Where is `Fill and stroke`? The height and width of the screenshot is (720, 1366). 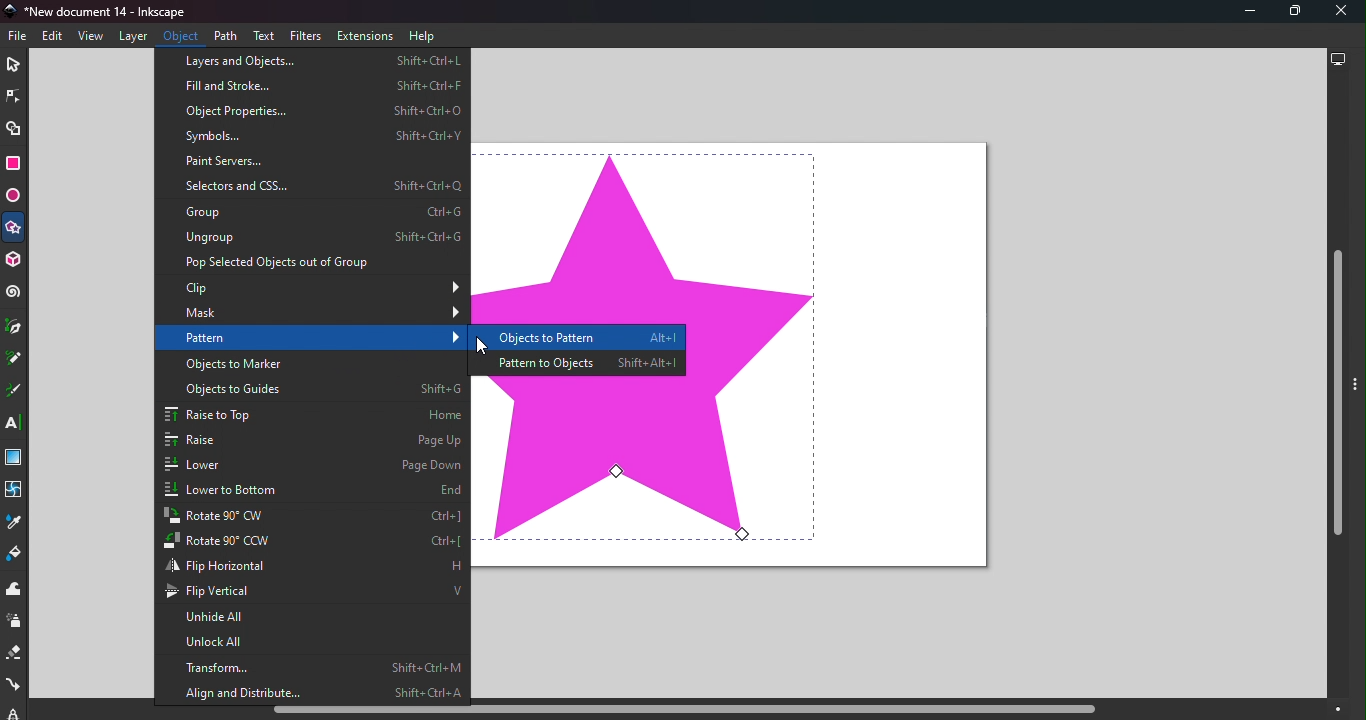 Fill and stroke is located at coordinates (324, 84).